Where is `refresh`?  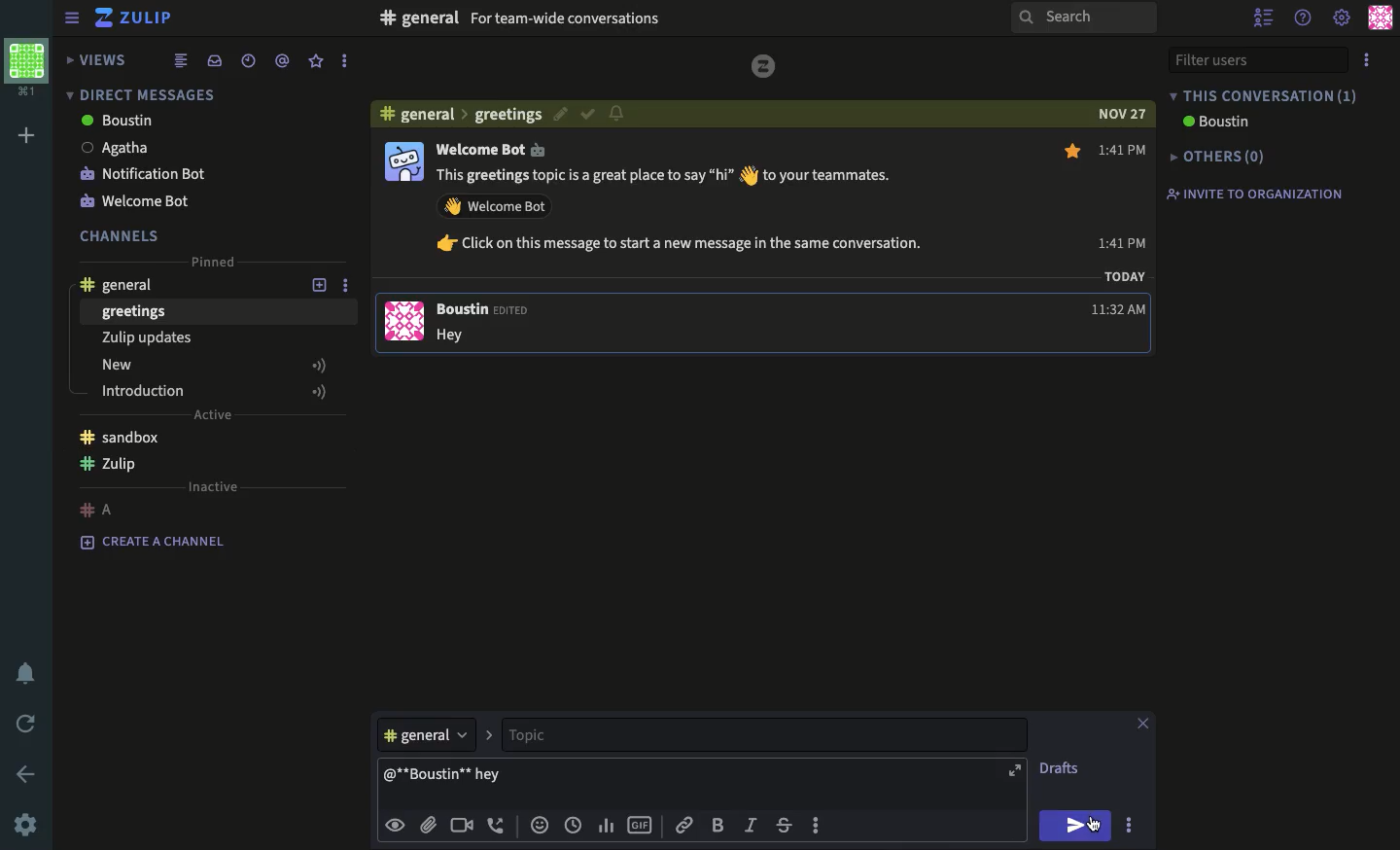
refresh is located at coordinates (29, 725).